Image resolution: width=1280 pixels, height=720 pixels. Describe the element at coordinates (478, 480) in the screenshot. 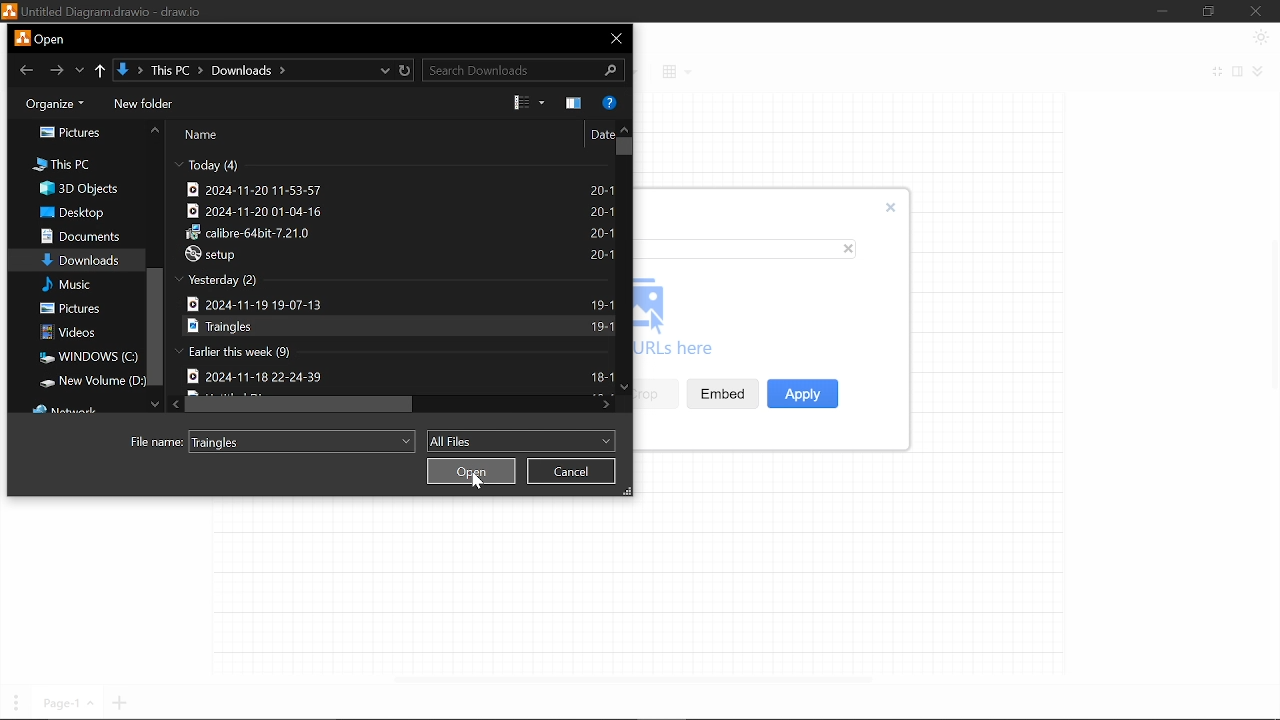

I see `Cursor` at that location.